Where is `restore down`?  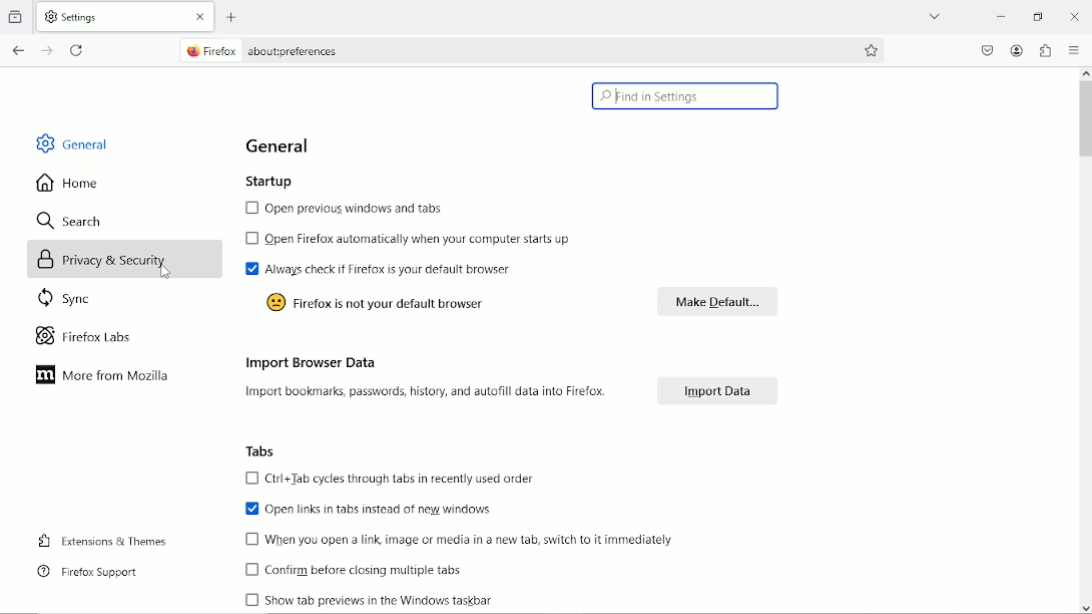 restore down is located at coordinates (1039, 14).